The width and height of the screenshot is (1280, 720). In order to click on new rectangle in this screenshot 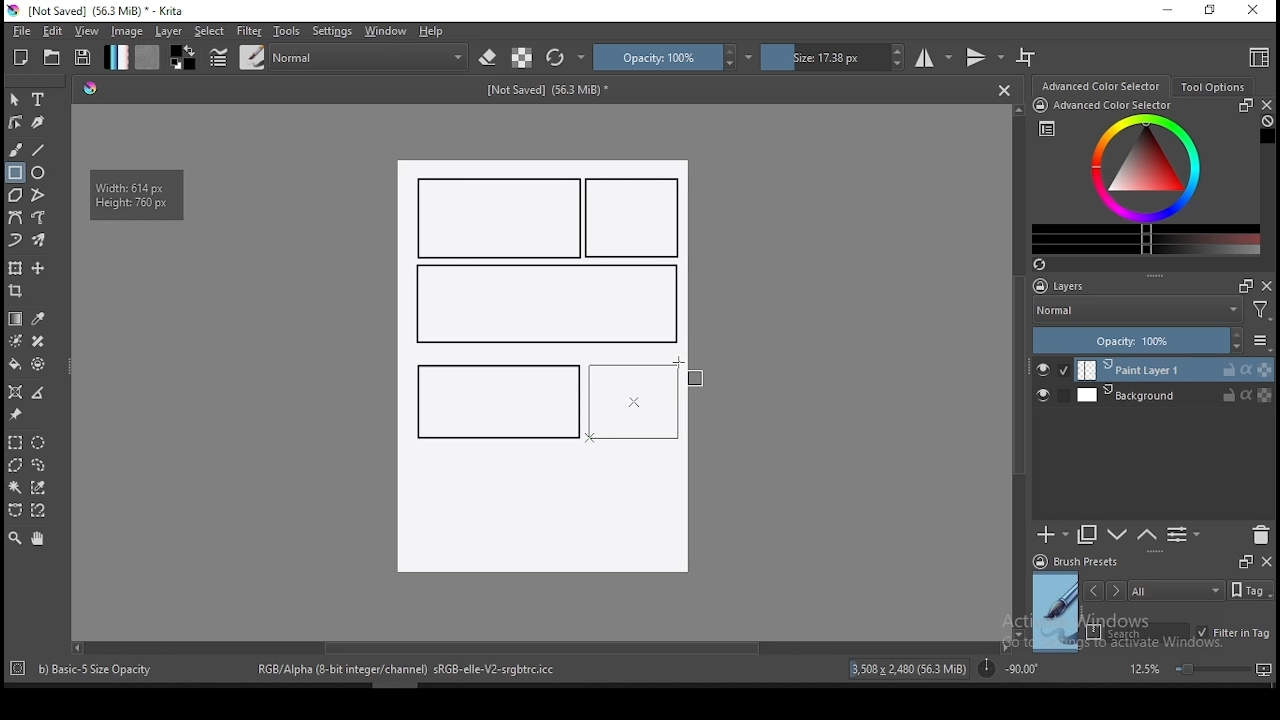, I will do `click(494, 399)`.